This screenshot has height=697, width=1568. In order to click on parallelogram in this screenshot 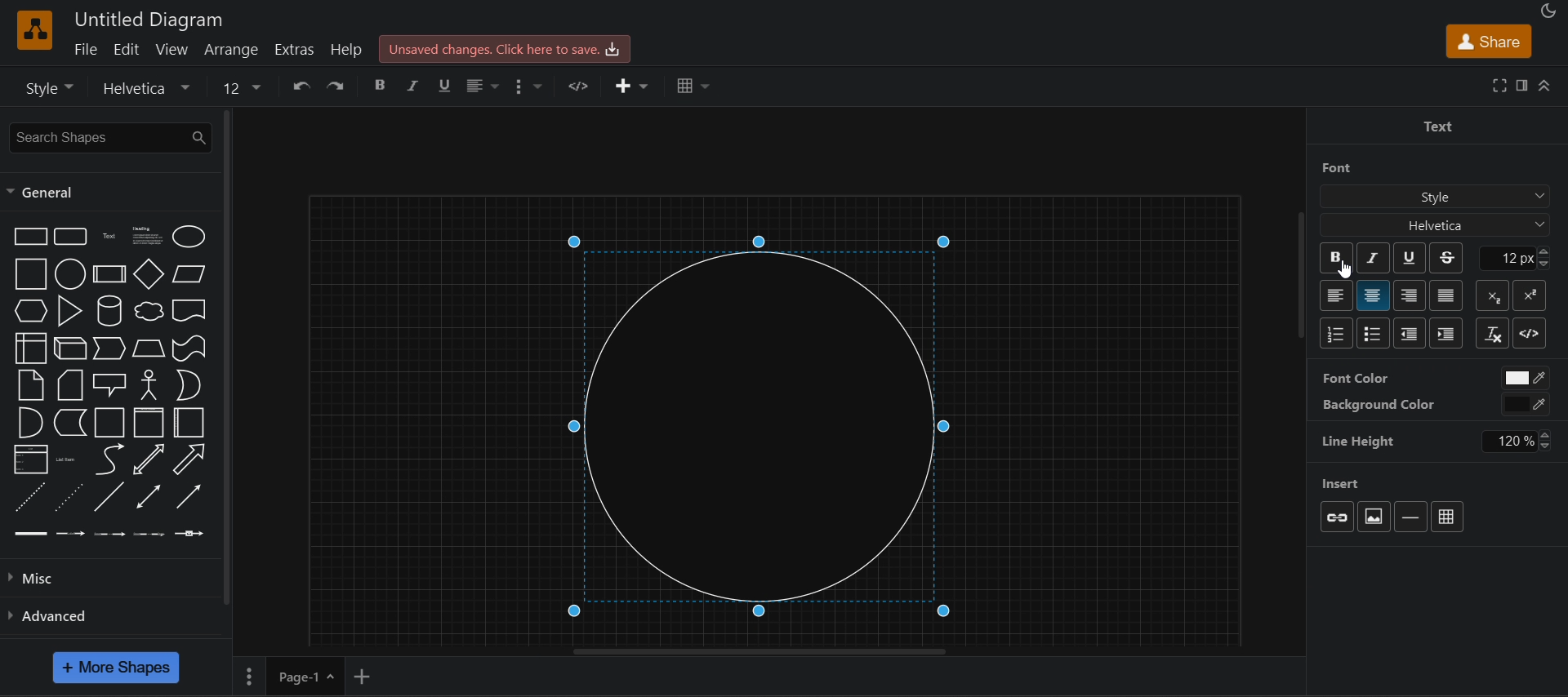, I will do `click(190, 274)`.